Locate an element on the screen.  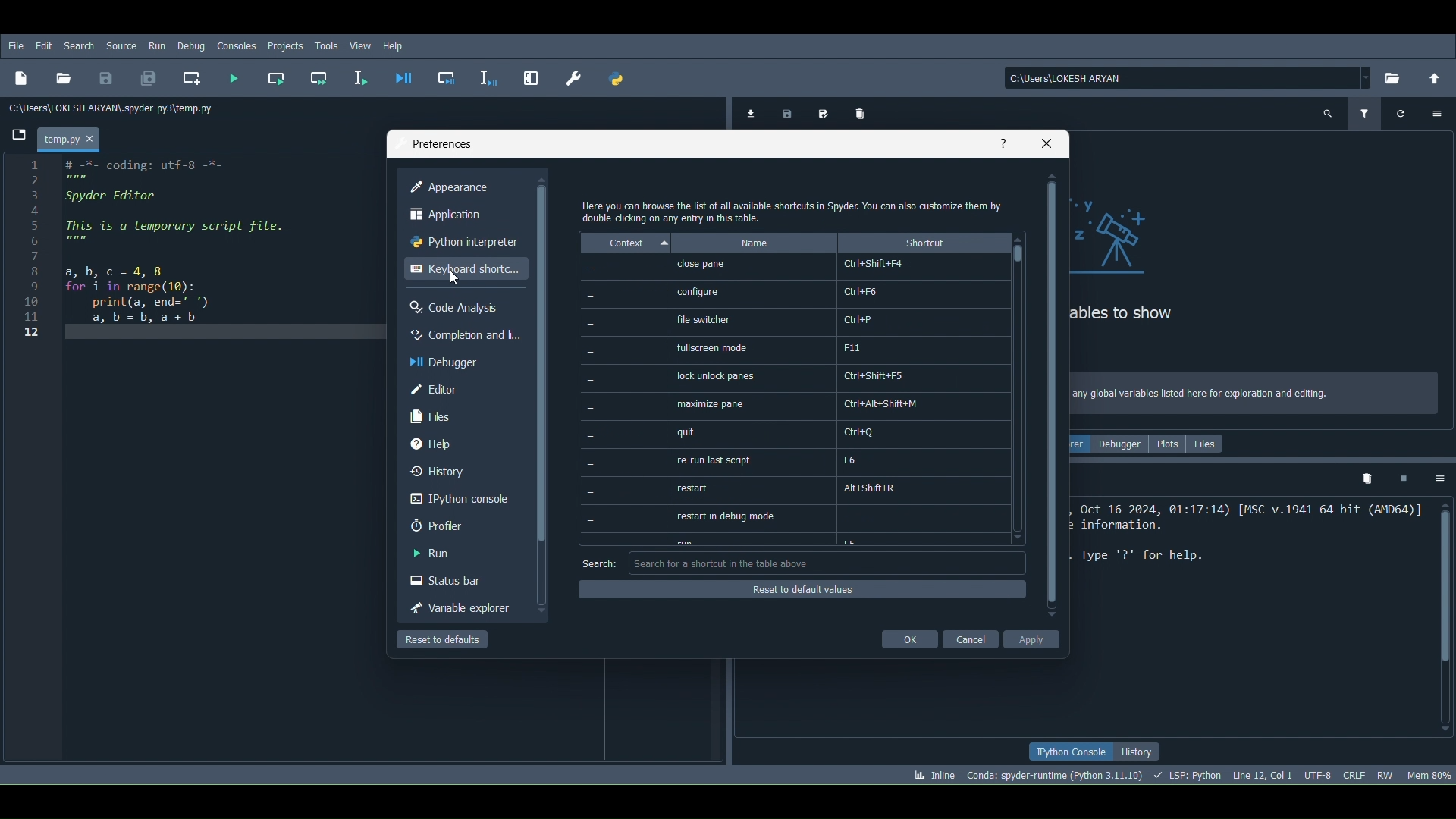
Source is located at coordinates (124, 45).